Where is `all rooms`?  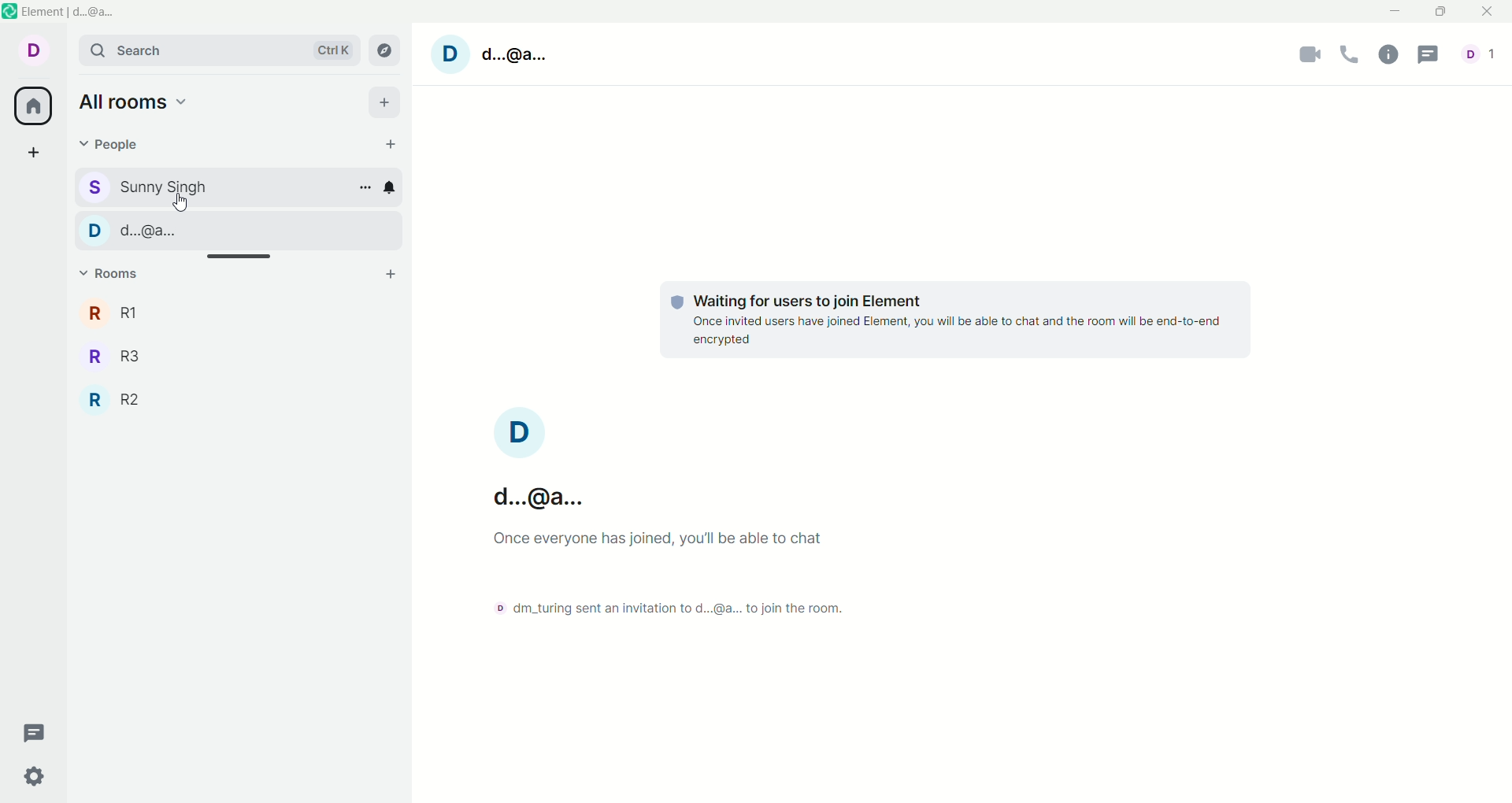 all rooms is located at coordinates (29, 107).